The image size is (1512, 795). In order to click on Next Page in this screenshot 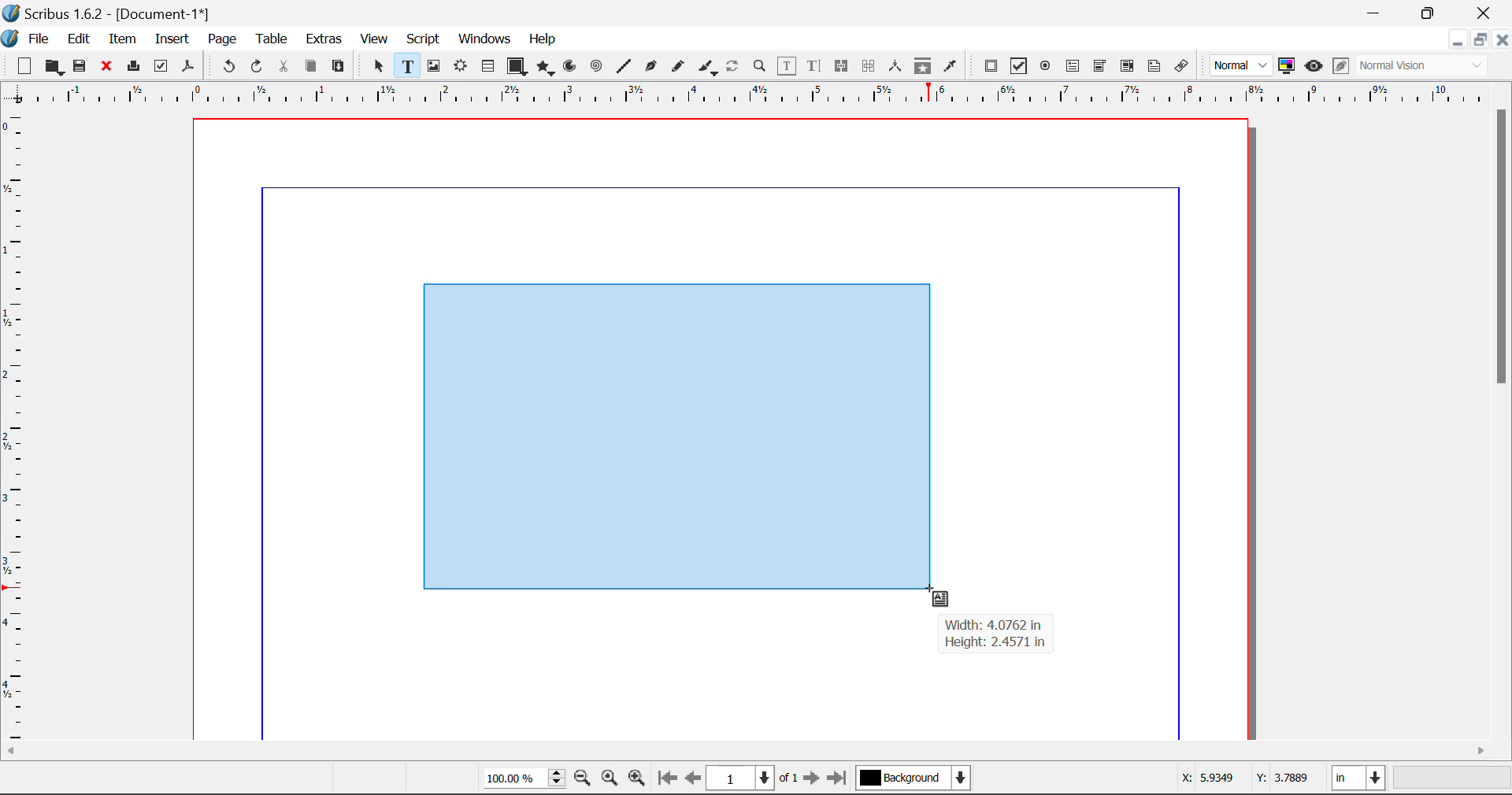, I will do `click(814, 781)`.